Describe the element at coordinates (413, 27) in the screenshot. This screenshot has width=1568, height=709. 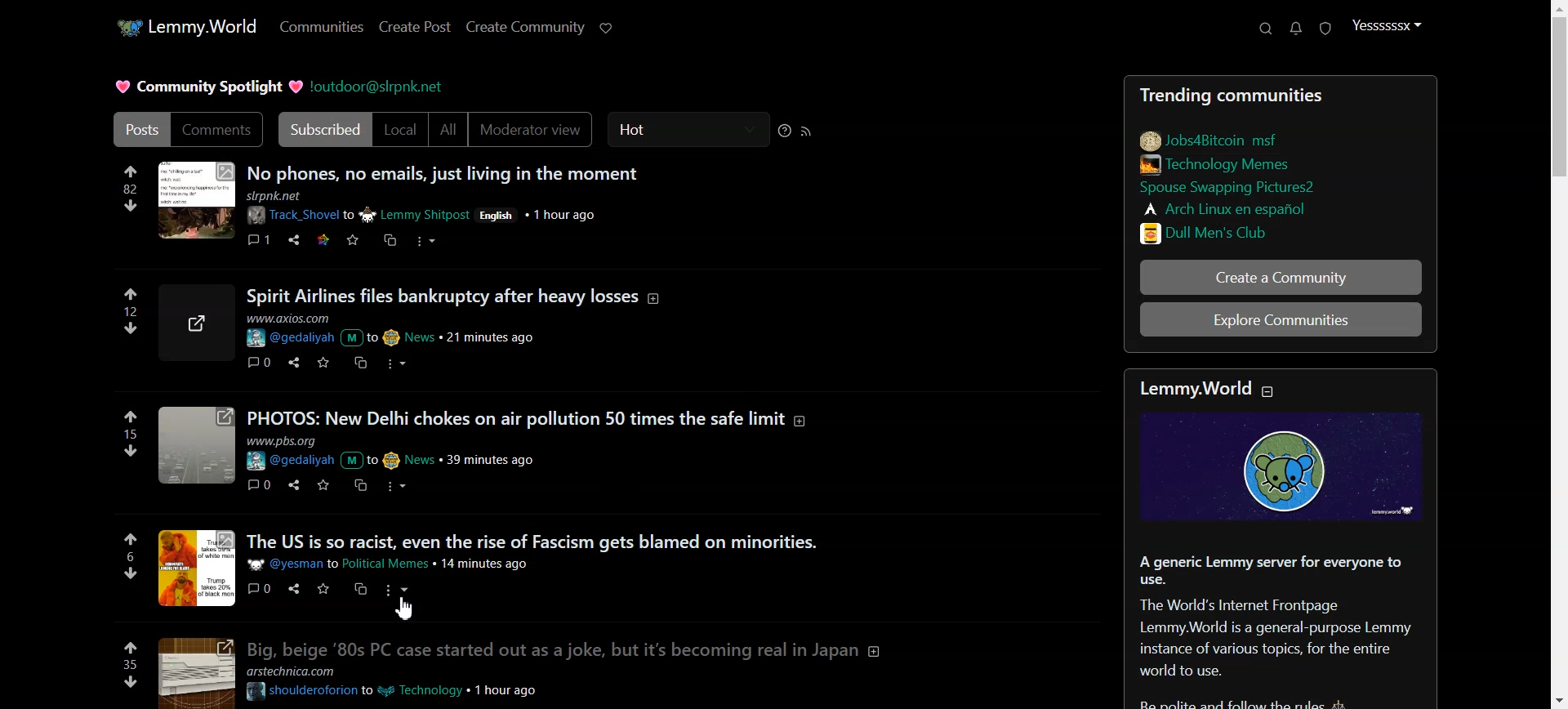
I see `Create Post` at that location.